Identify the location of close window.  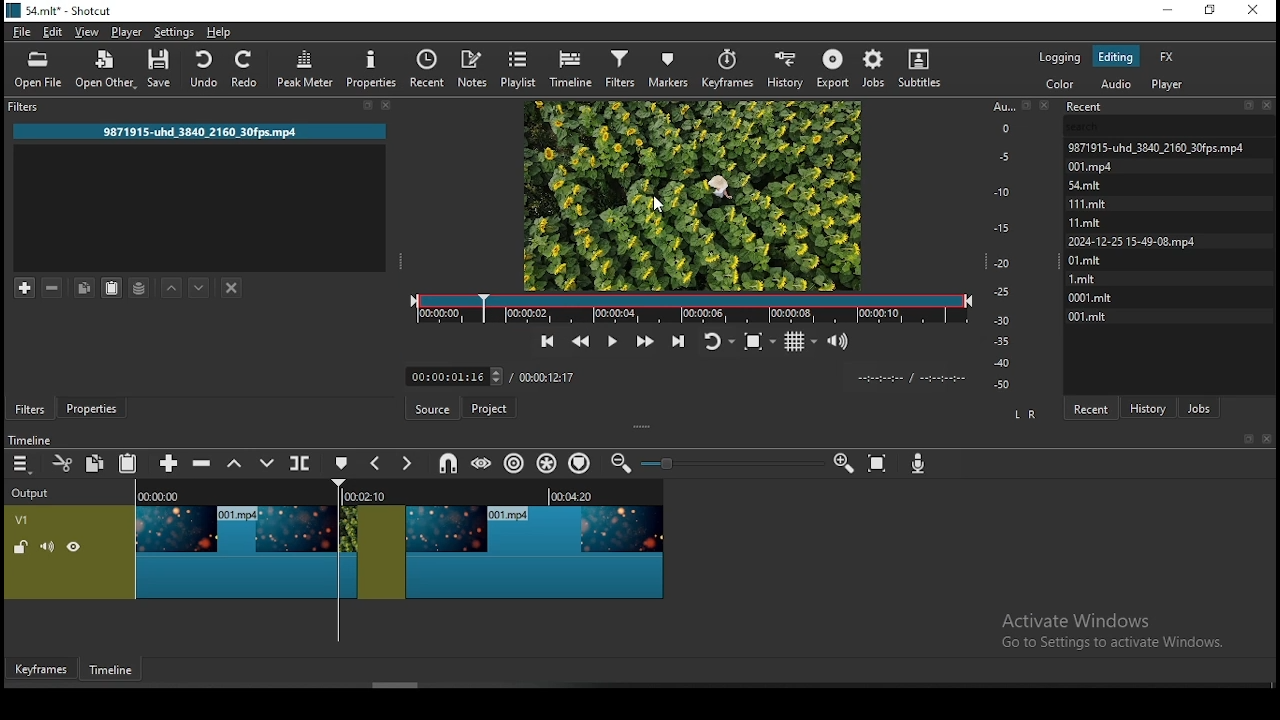
(1251, 11).